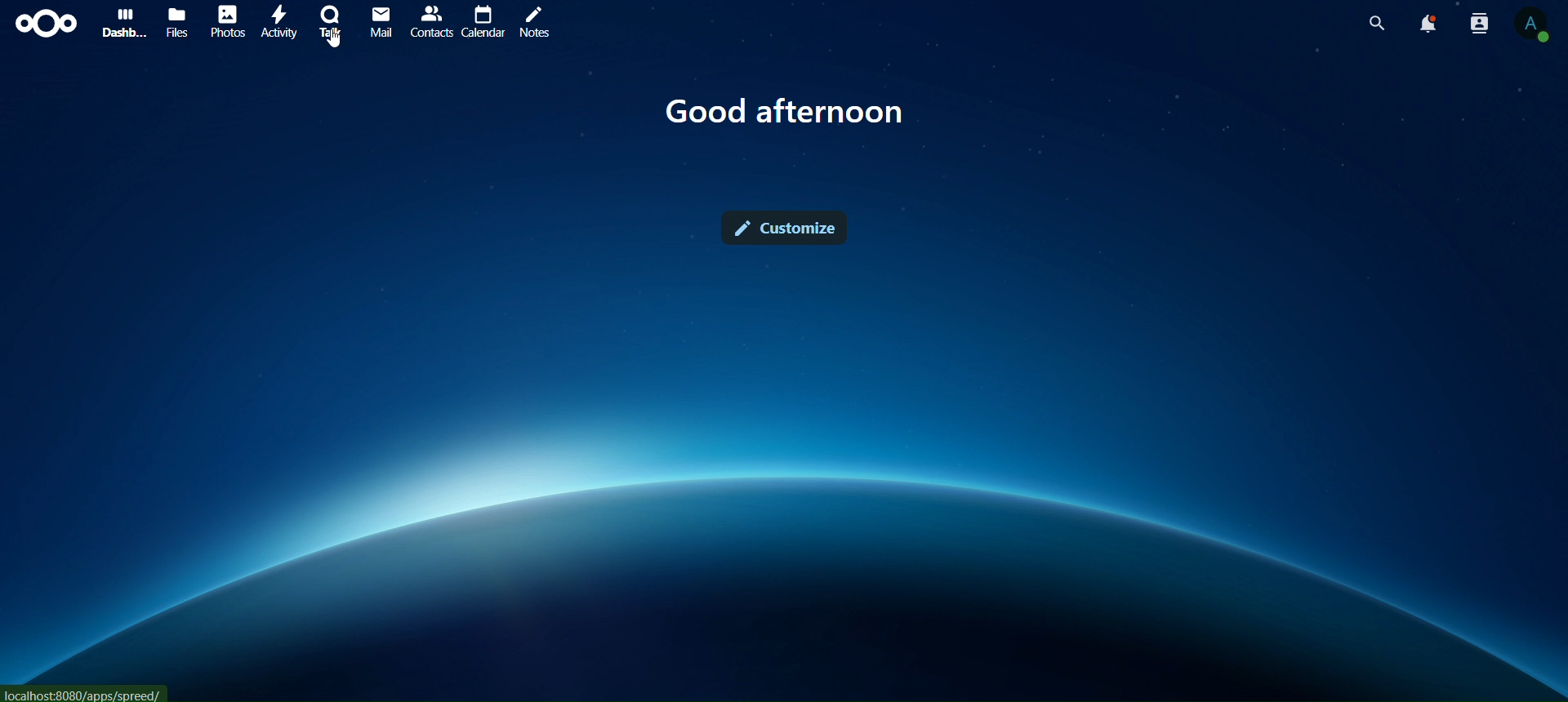 The image size is (1568, 702). Describe the element at coordinates (785, 111) in the screenshot. I see `good afternoon` at that location.